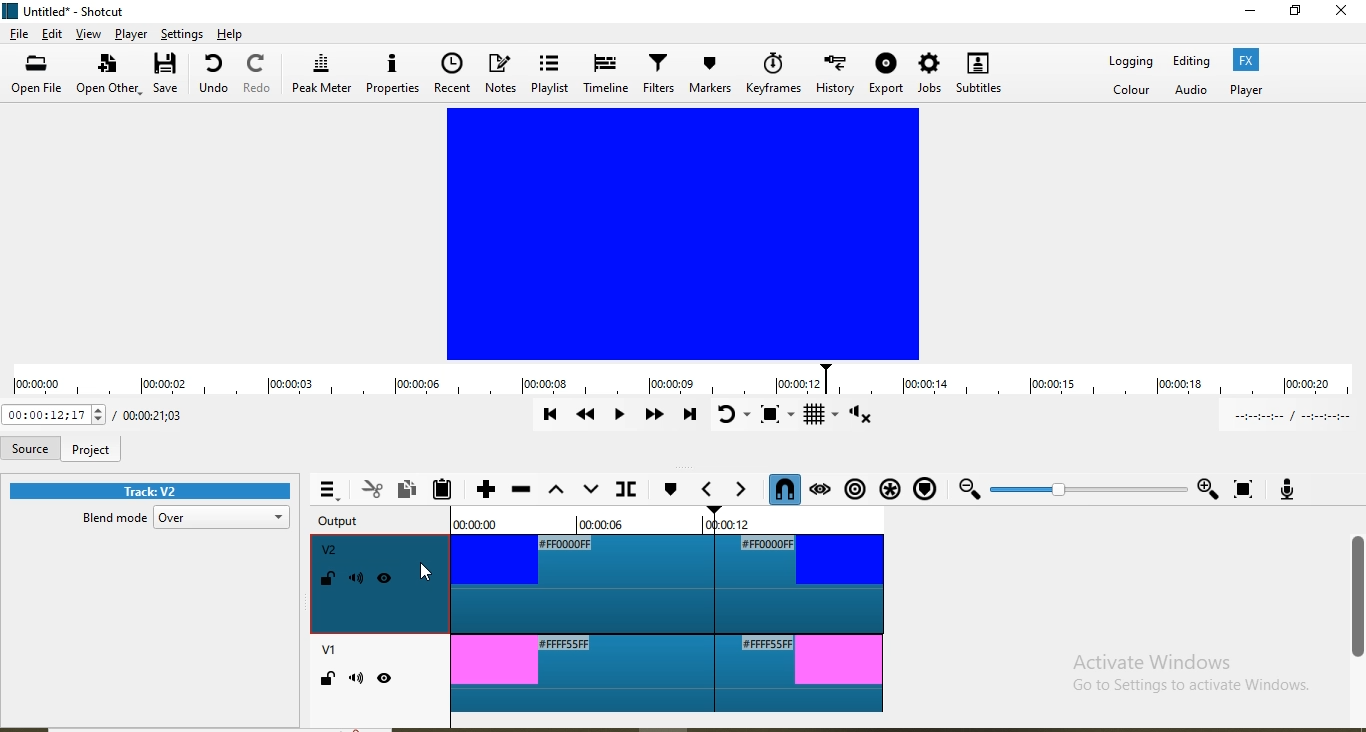  I want to click on Hide, so click(387, 581).